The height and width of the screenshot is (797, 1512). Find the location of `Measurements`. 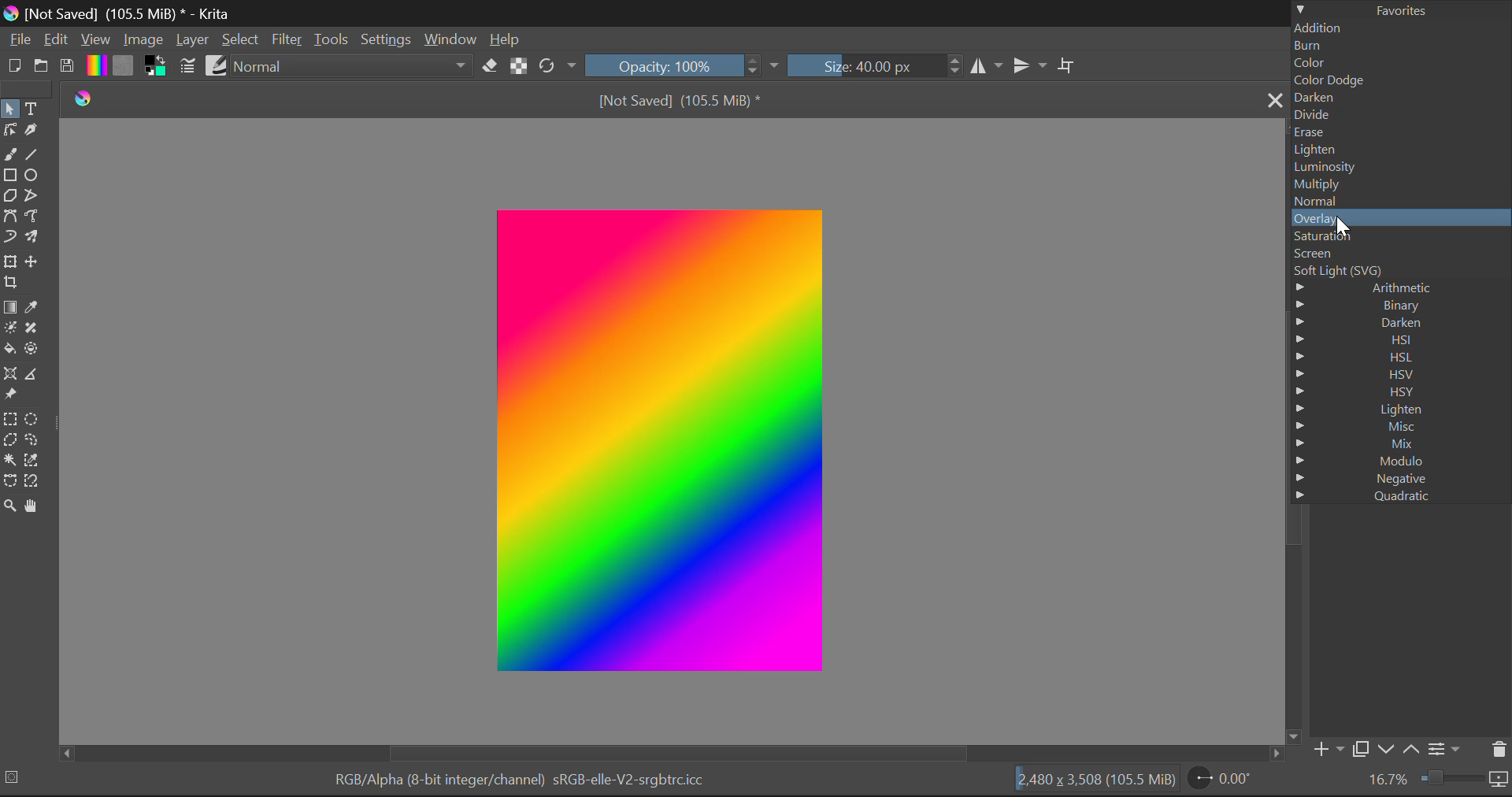

Measurements is located at coordinates (36, 374).